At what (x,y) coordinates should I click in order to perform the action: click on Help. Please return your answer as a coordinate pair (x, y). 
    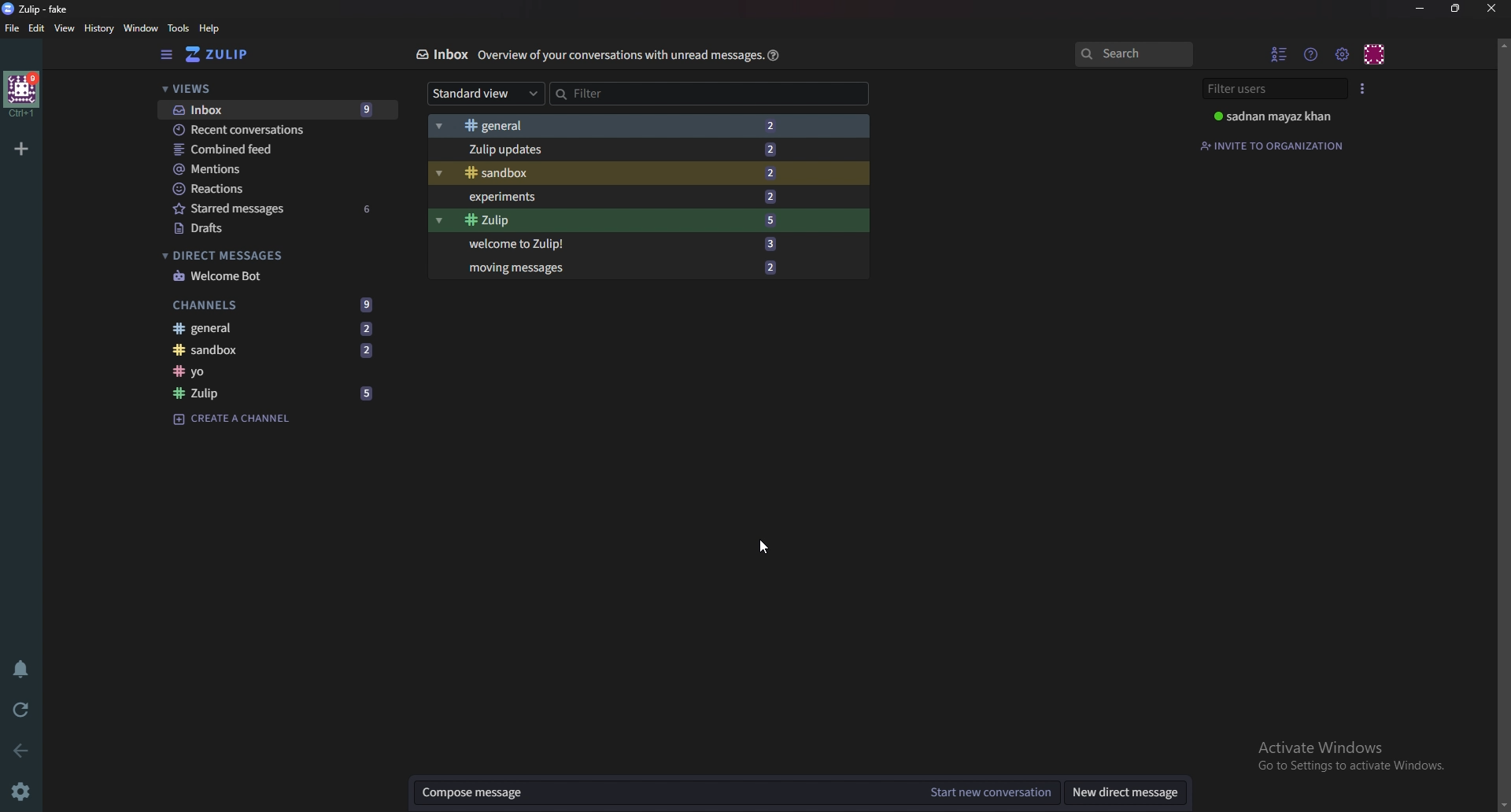
    Looking at the image, I should click on (774, 56).